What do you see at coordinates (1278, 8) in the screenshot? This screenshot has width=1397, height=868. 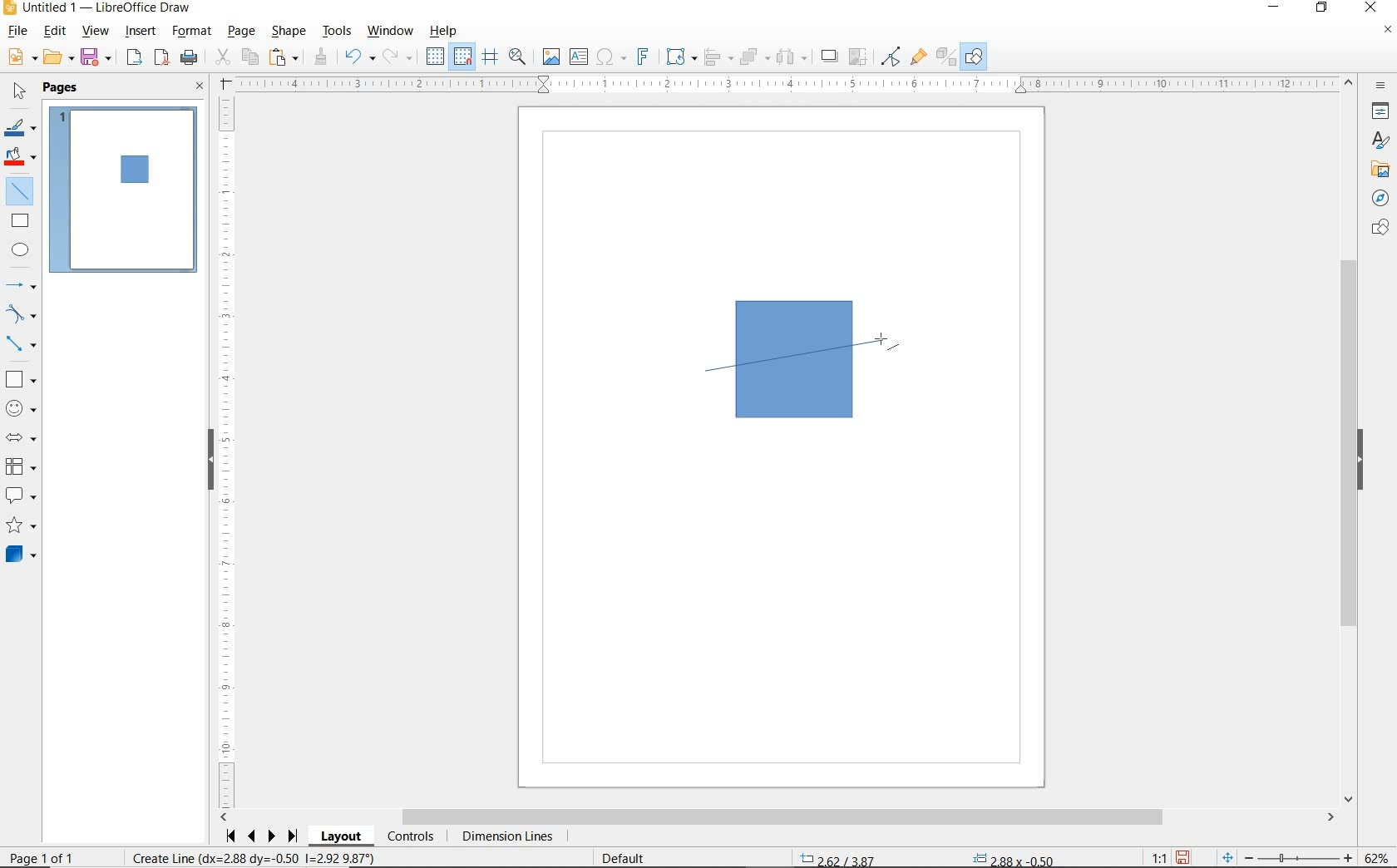 I see `MINIMIZE` at bounding box center [1278, 8].